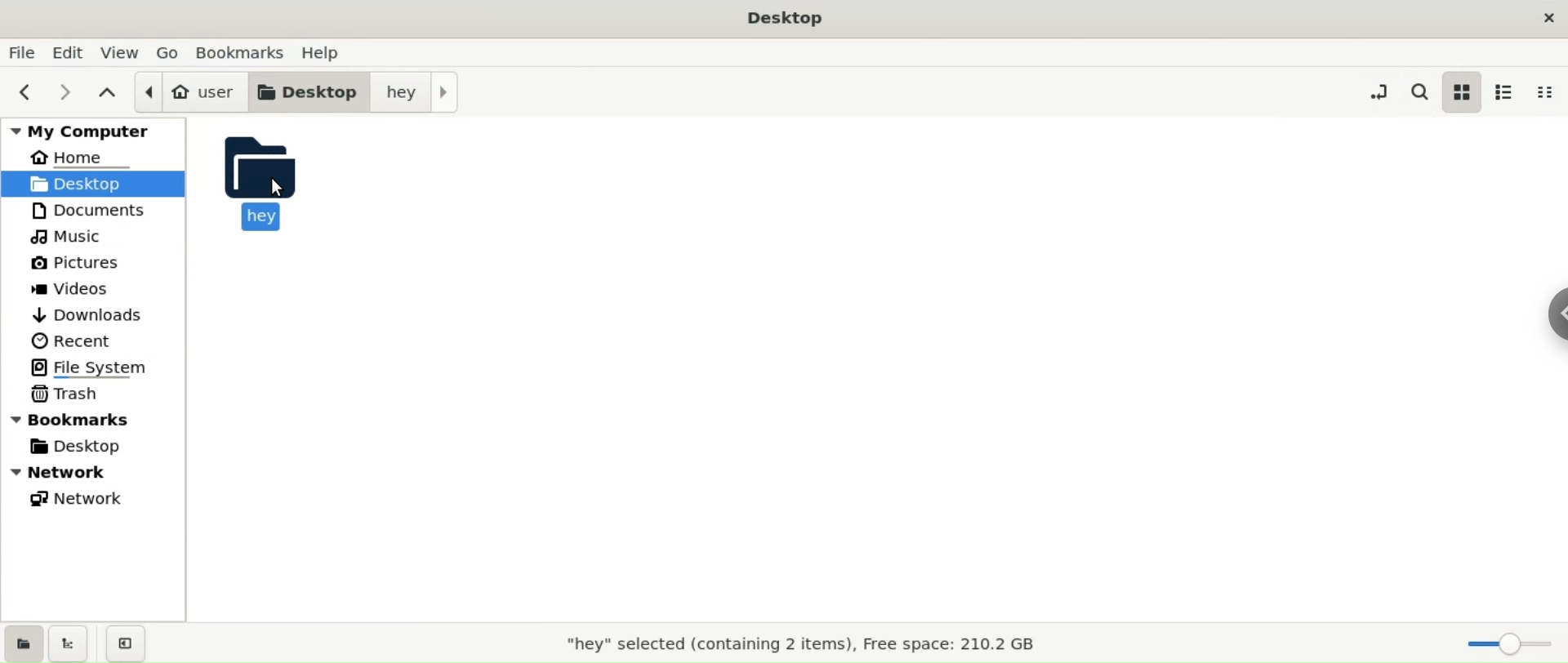 Image resolution: width=1568 pixels, height=663 pixels. Describe the element at coordinates (1512, 640) in the screenshot. I see `zoom` at that location.